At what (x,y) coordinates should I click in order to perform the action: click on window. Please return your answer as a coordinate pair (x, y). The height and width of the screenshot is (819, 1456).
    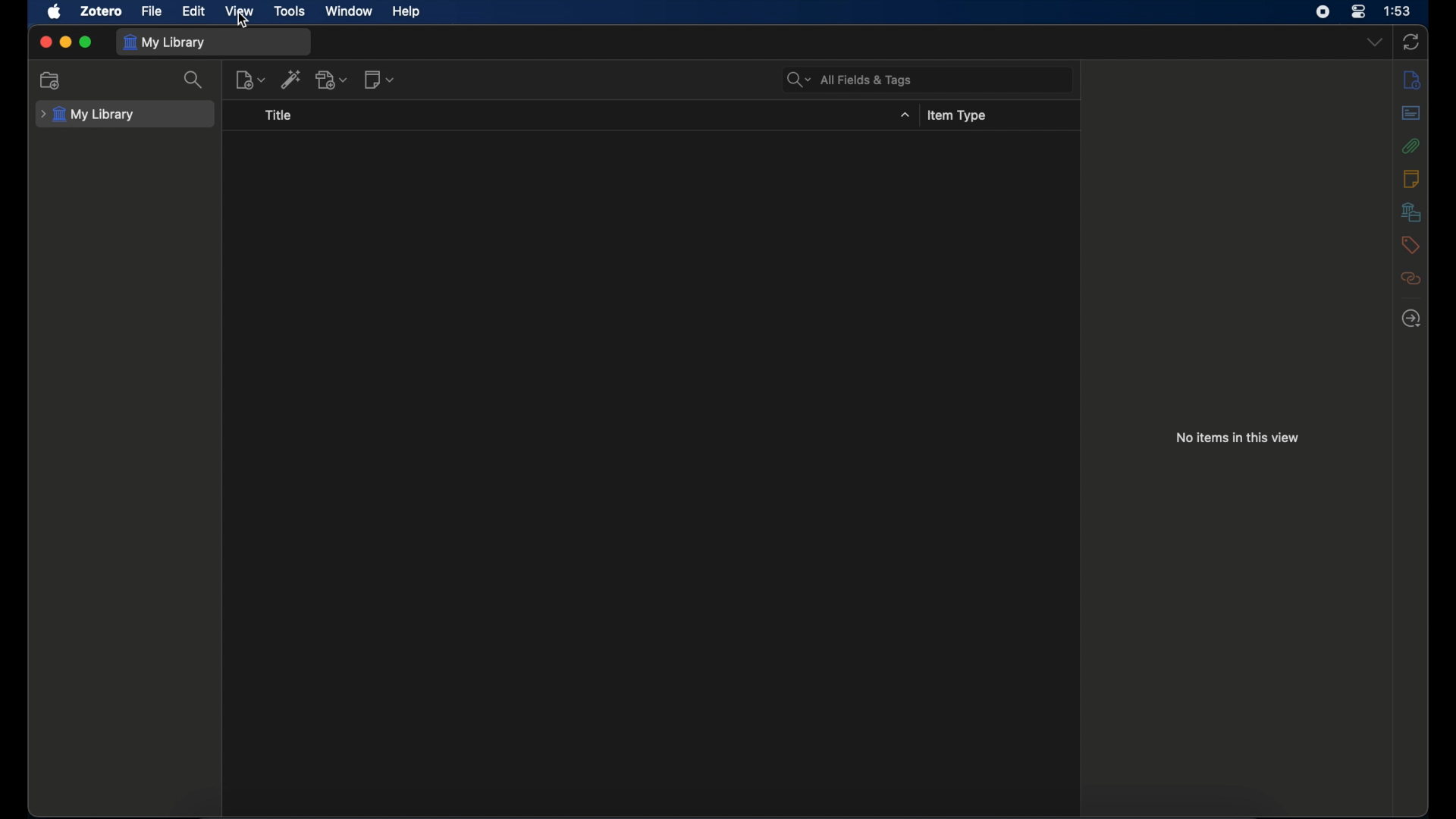
    Looking at the image, I should click on (347, 11).